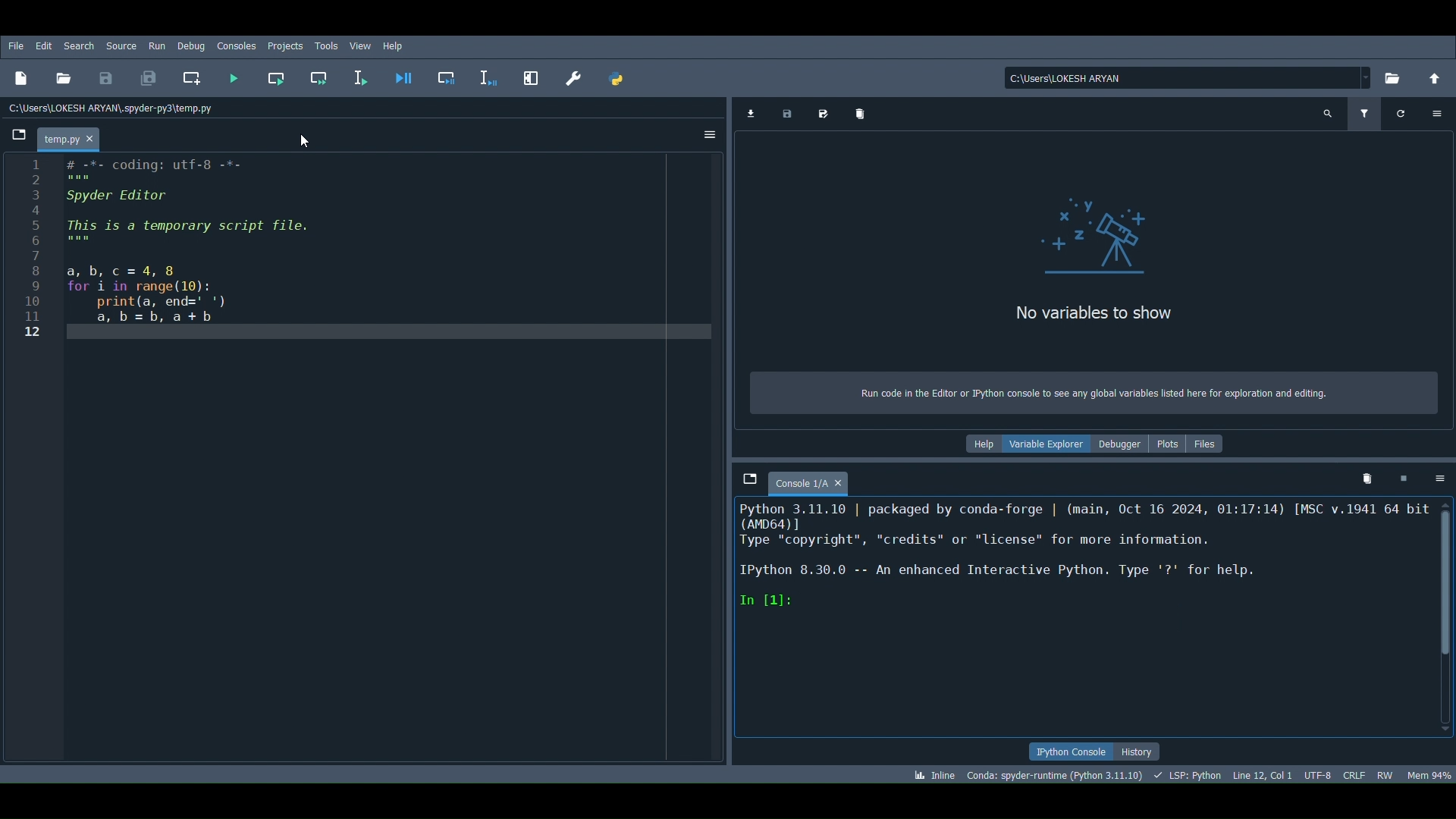  What do you see at coordinates (20, 135) in the screenshot?
I see `Browse tabs` at bounding box center [20, 135].